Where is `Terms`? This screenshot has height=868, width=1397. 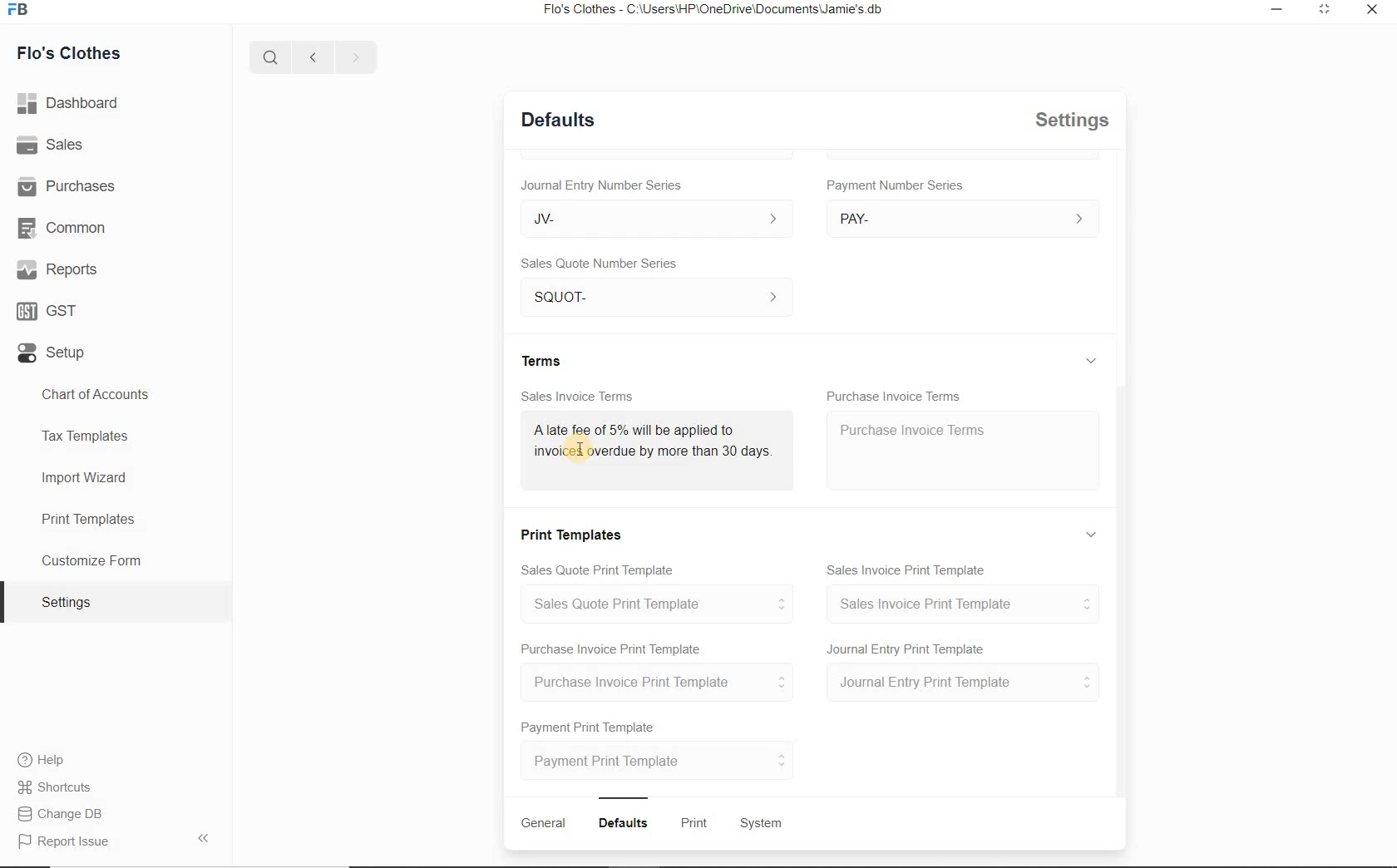
Terms is located at coordinates (545, 359).